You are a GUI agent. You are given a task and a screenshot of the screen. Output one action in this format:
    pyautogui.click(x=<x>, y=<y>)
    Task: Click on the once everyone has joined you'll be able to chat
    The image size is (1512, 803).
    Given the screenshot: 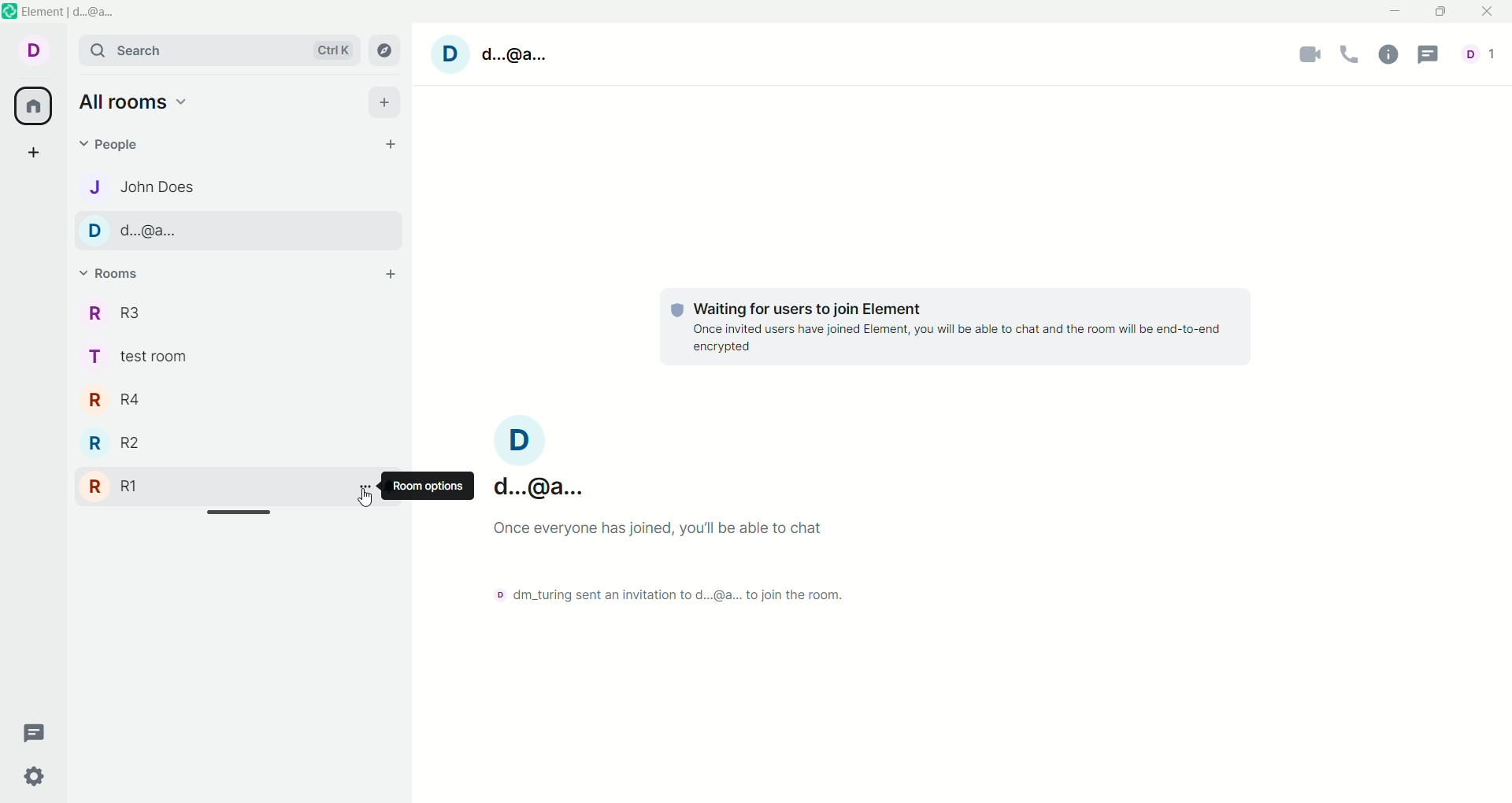 What is the action you would take?
    pyautogui.click(x=668, y=533)
    